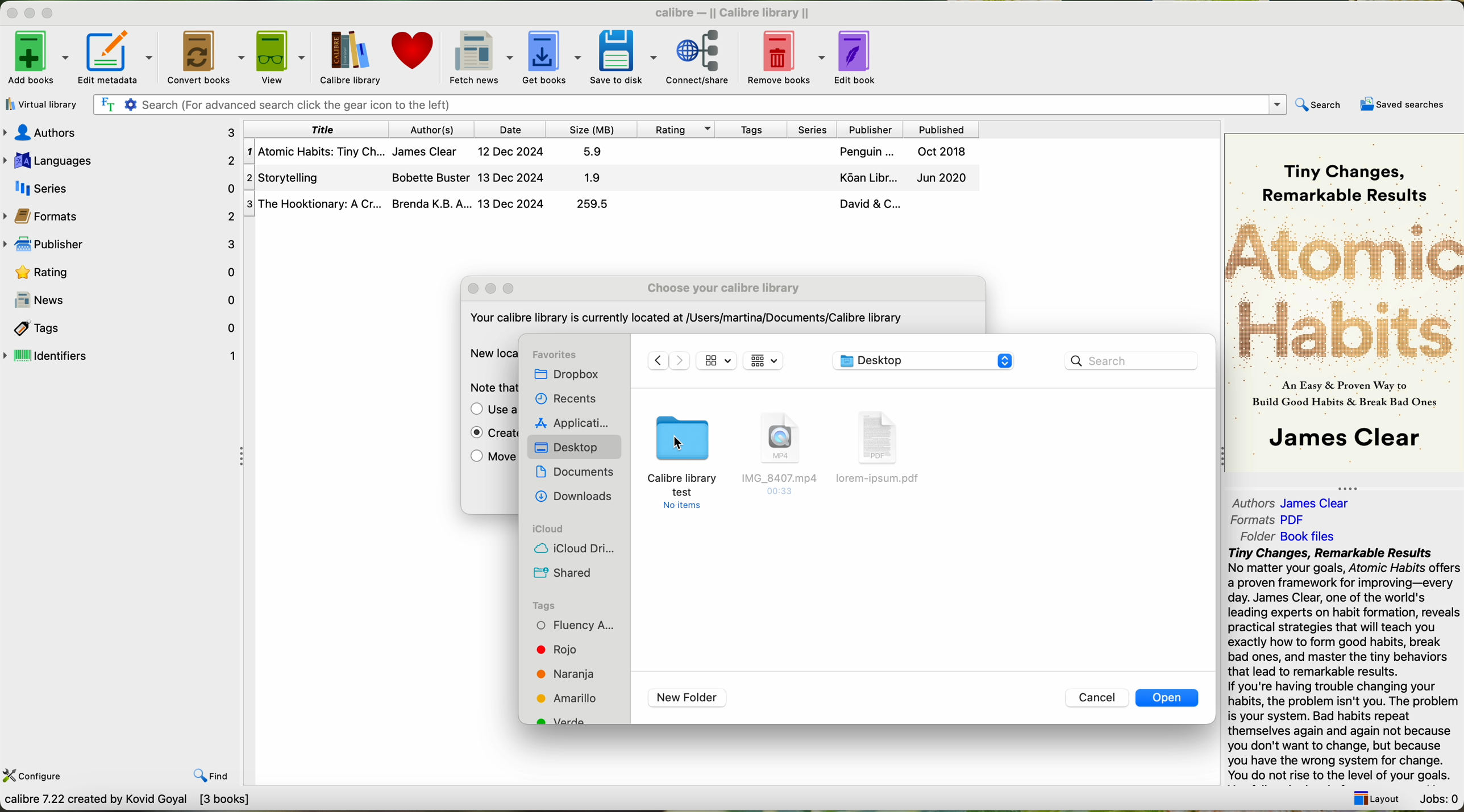 The image size is (1464, 812). I want to click on search bar, so click(1130, 360).